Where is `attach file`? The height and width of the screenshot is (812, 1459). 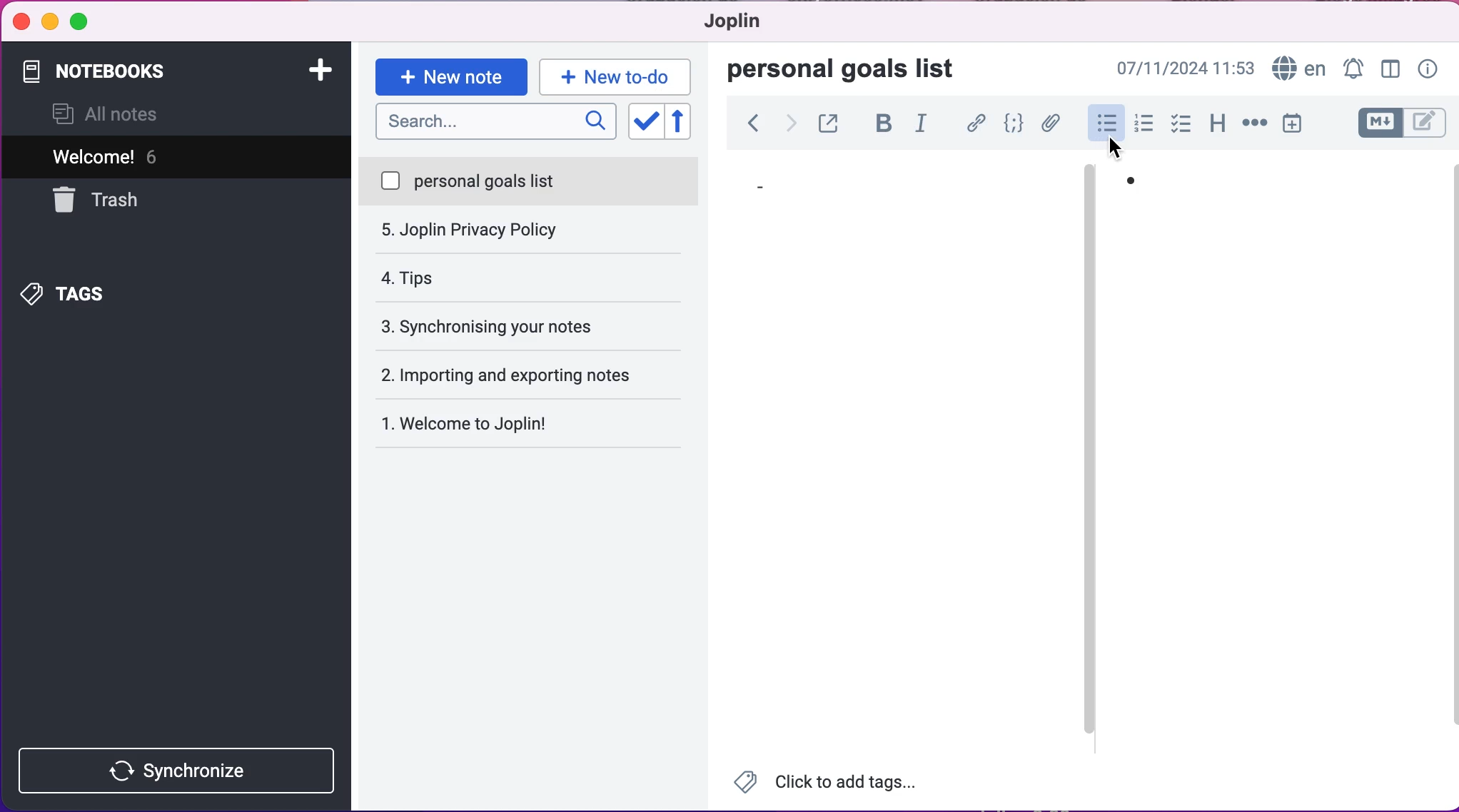 attach file is located at coordinates (1049, 123).